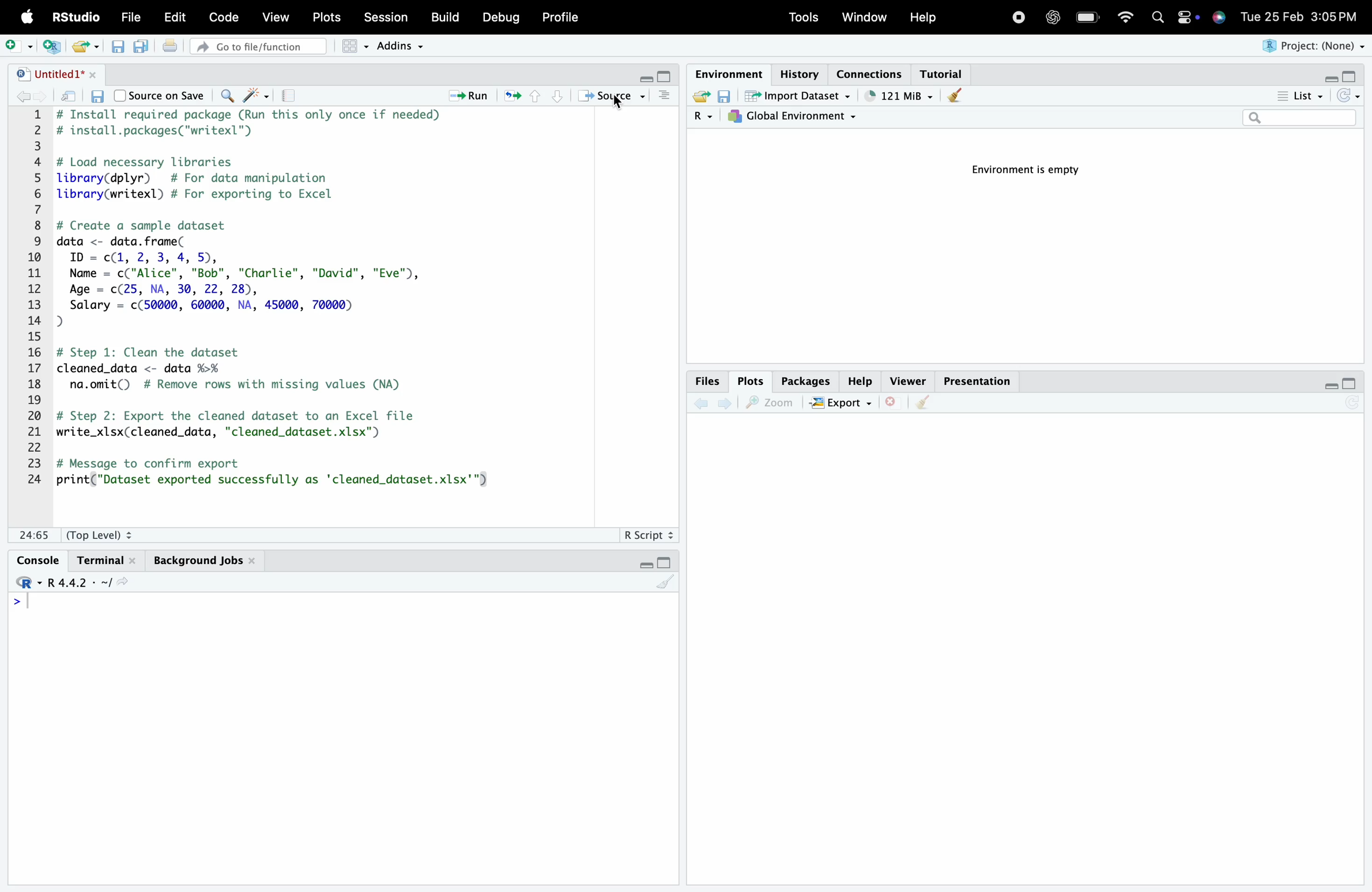 The width and height of the screenshot is (1372, 892). I want to click on Save all open documents (Ctrl + Alt + S), so click(142, 47).